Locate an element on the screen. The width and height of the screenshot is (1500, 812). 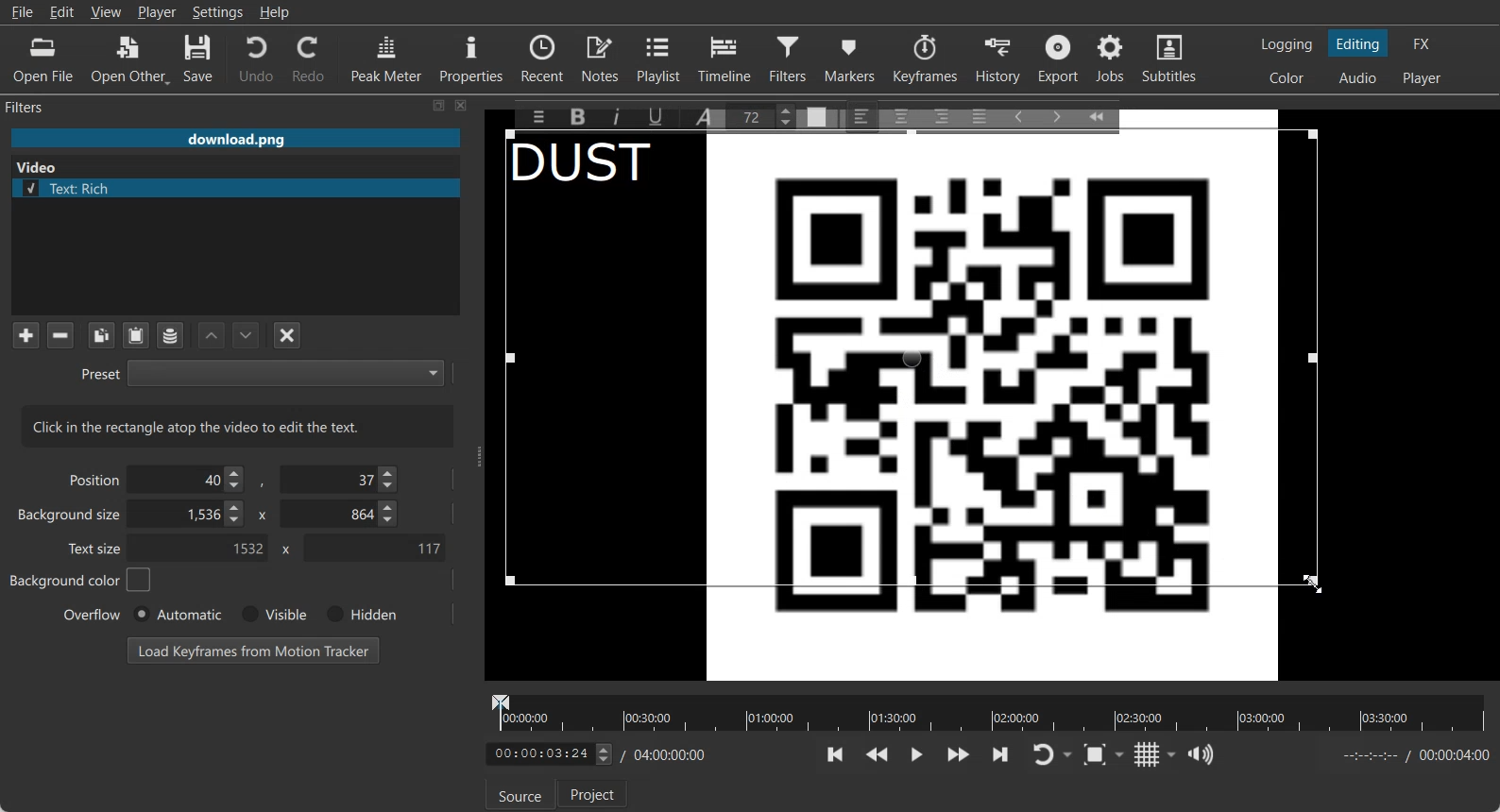
File is located at coordinates (22, 12).